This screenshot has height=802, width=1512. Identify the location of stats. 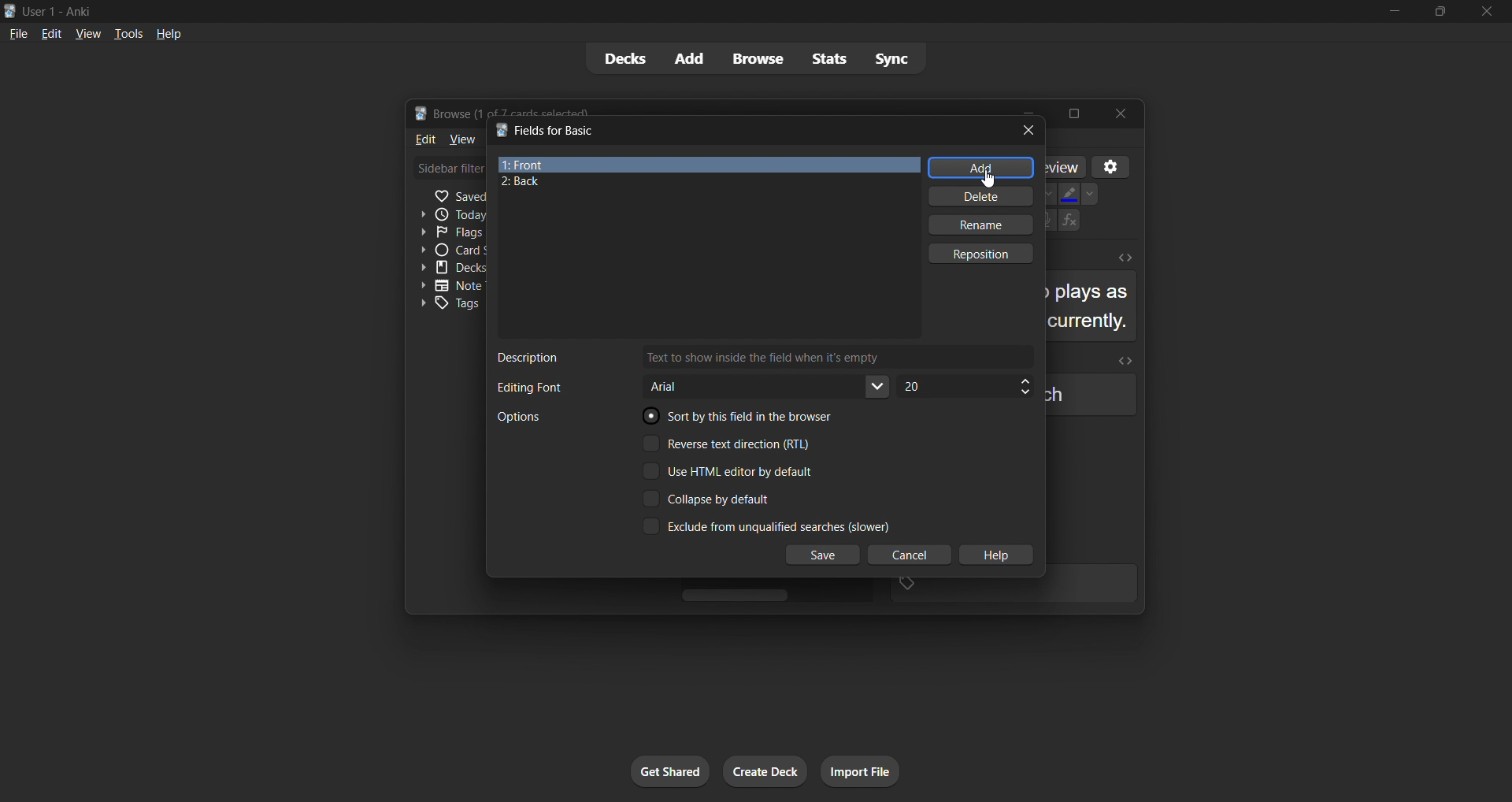
(828, 60).